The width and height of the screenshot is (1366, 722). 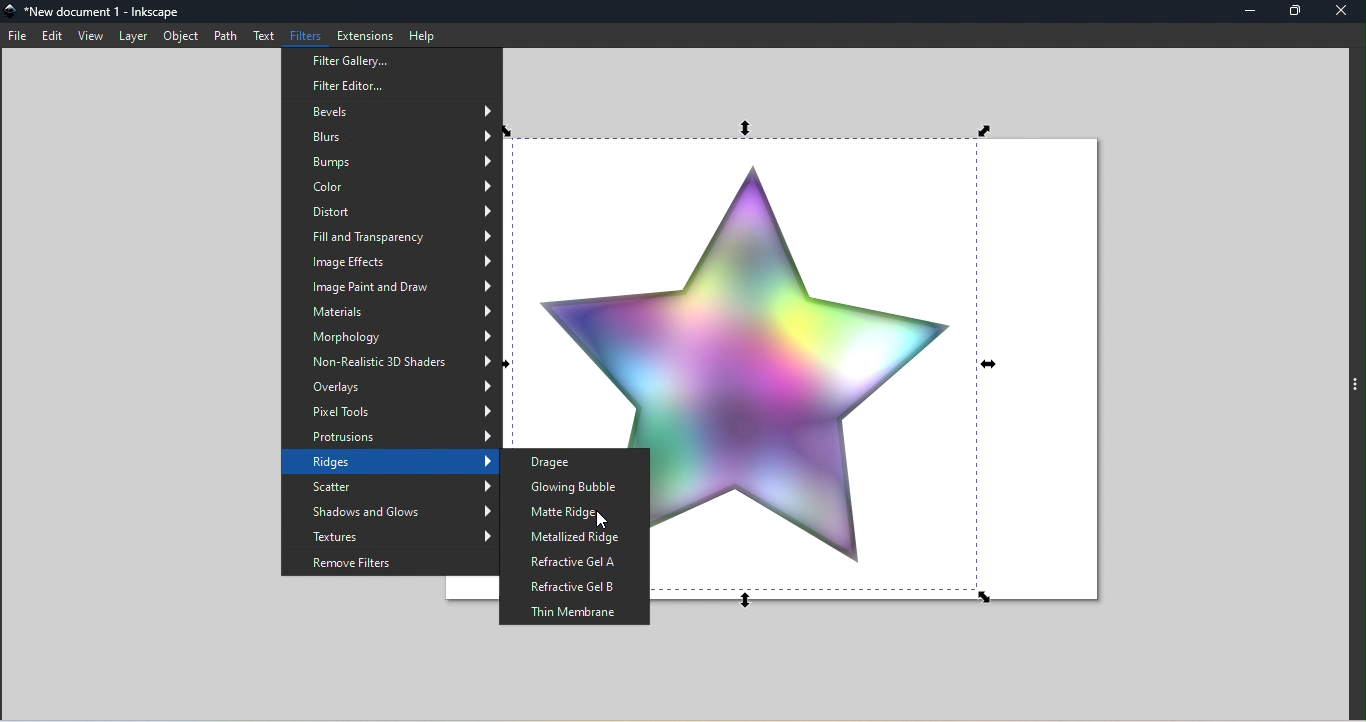 I want to click on Image effects, so click(x=392, y=264).